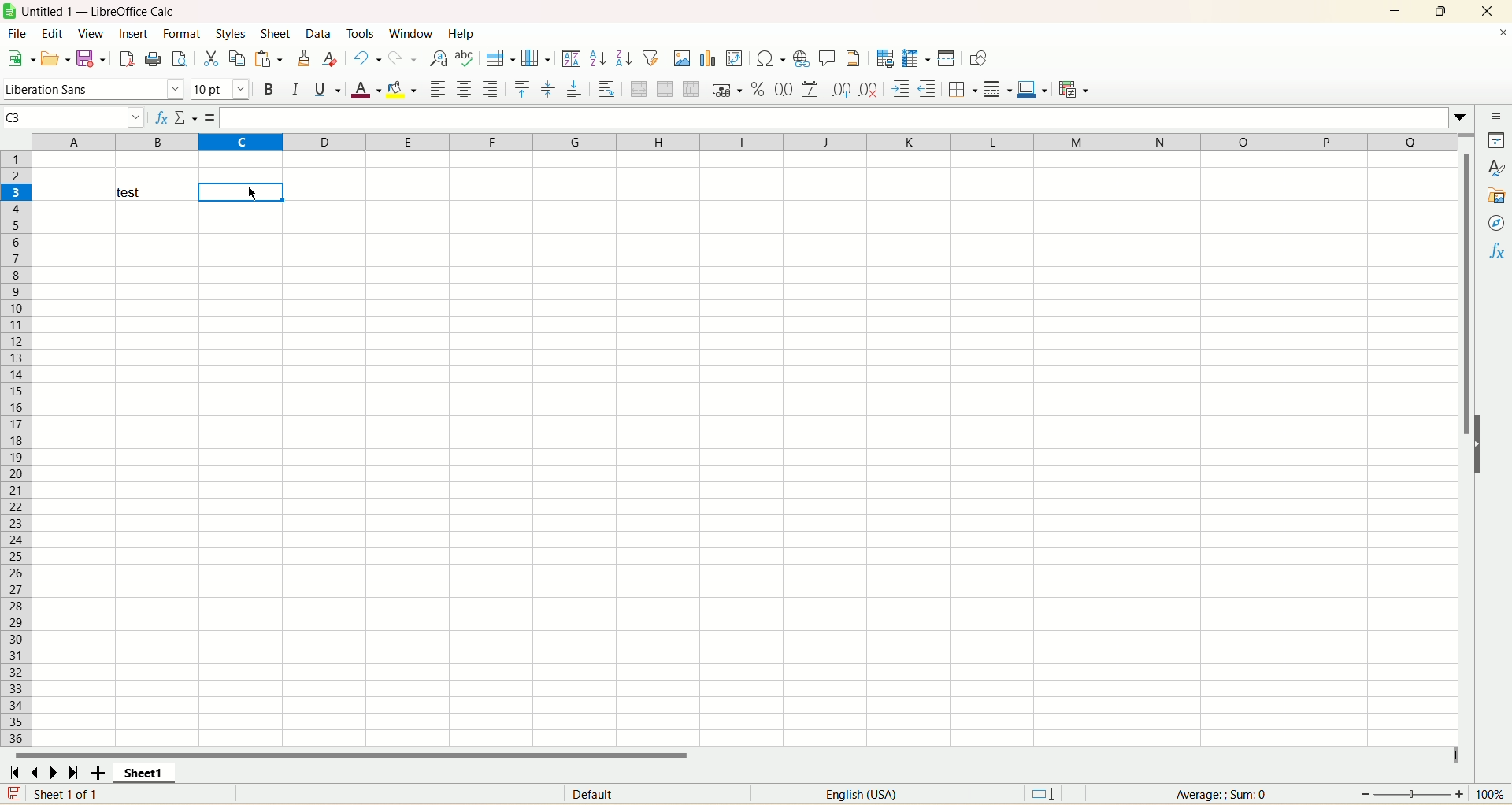 The image size is (1512, 805). I want to click on insert image, so click(682, 58).